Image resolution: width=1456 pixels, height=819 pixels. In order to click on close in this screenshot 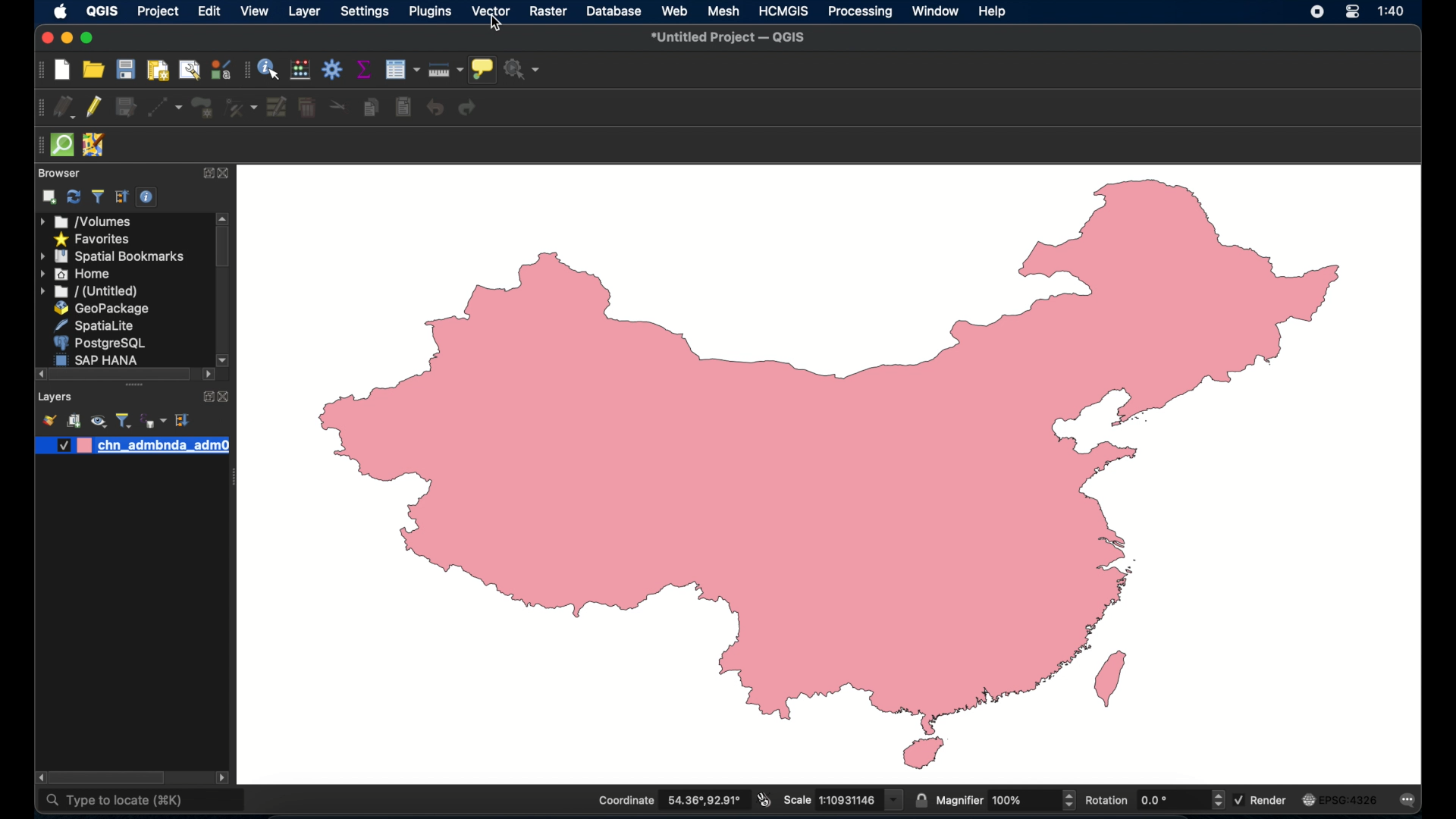, I will do `click(225, 397)`.